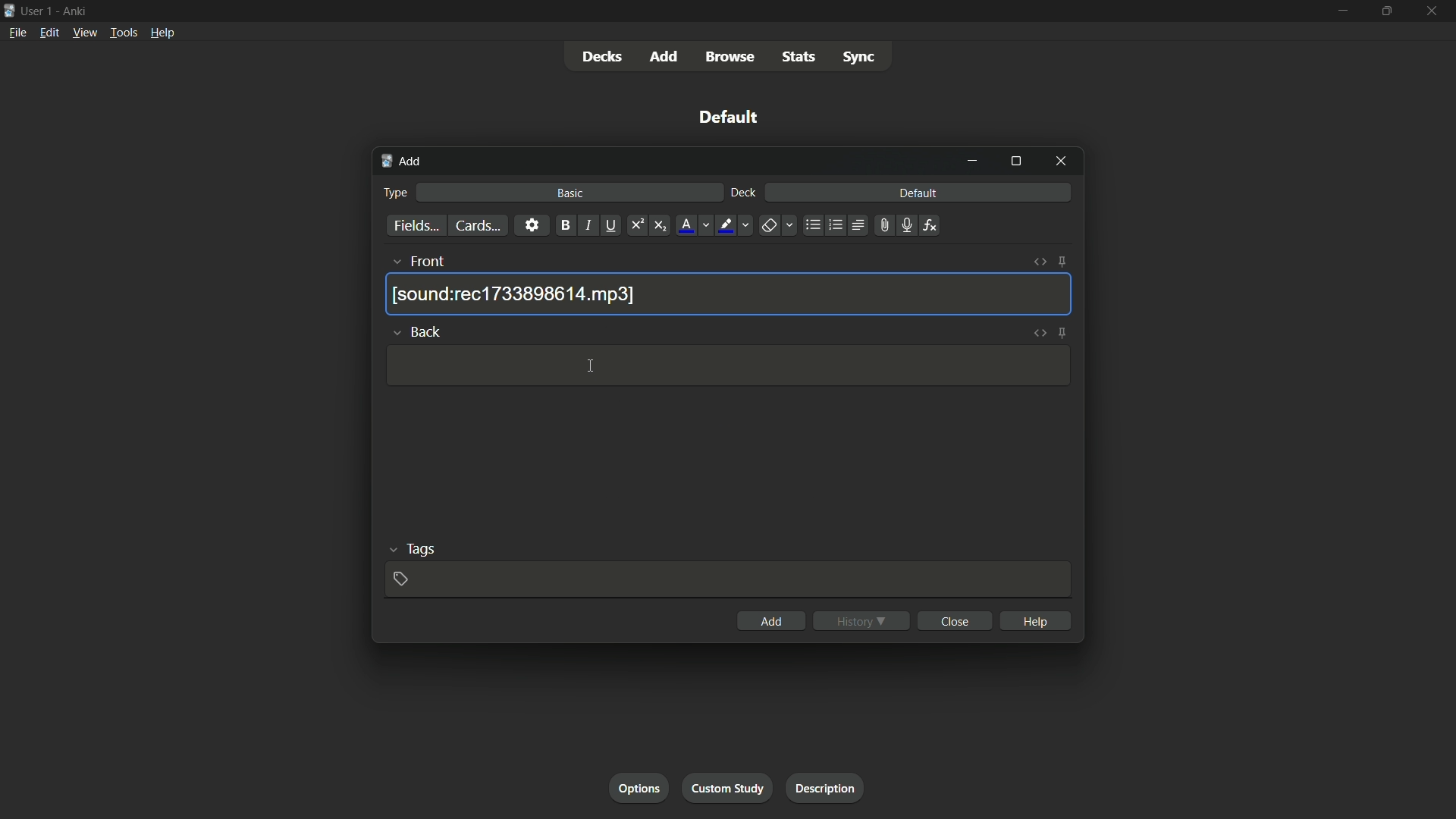  Describe the element at coordinates (38, 10) in the screenshot. I see `user 1` at that location.